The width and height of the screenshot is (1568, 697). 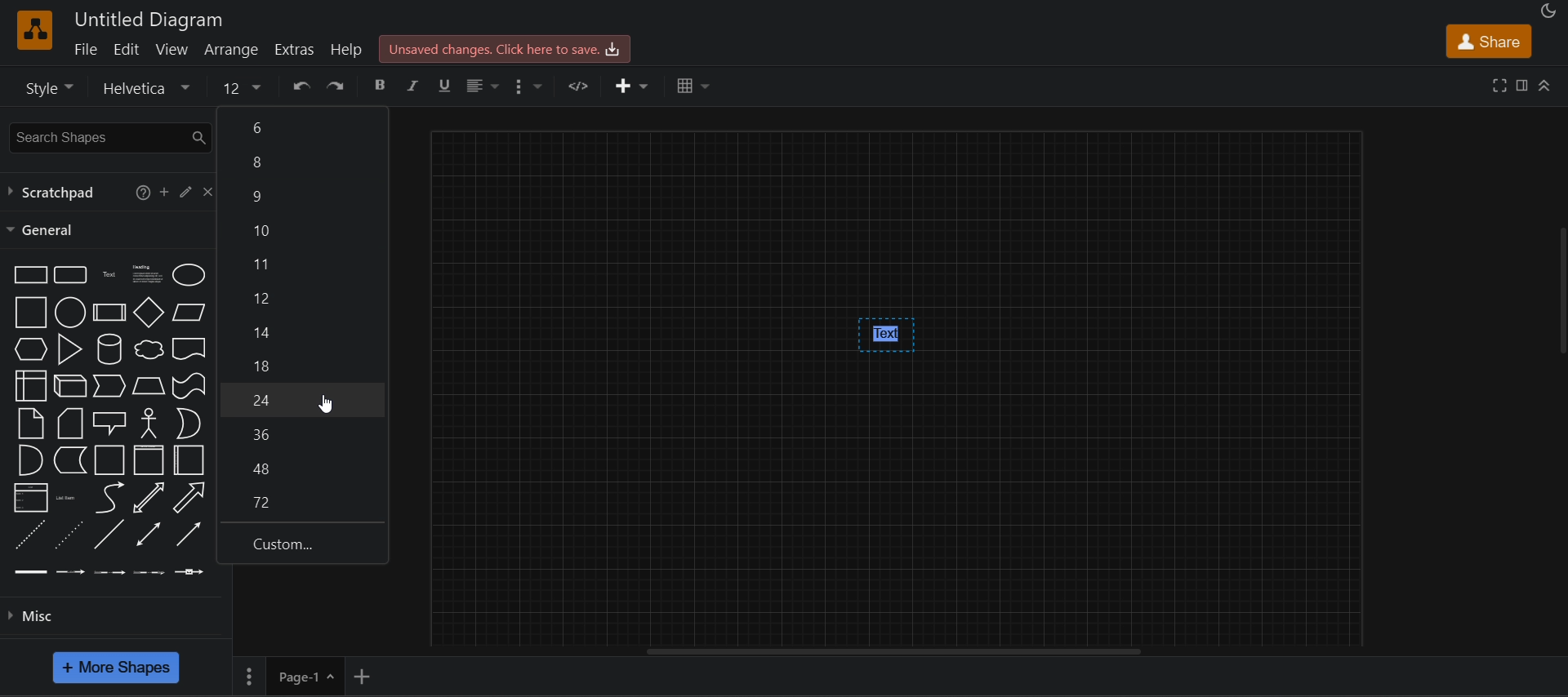 What do you see at coordinates (381, 86) in the screenshot?
I see `bold` at bounding box center [381, 86].